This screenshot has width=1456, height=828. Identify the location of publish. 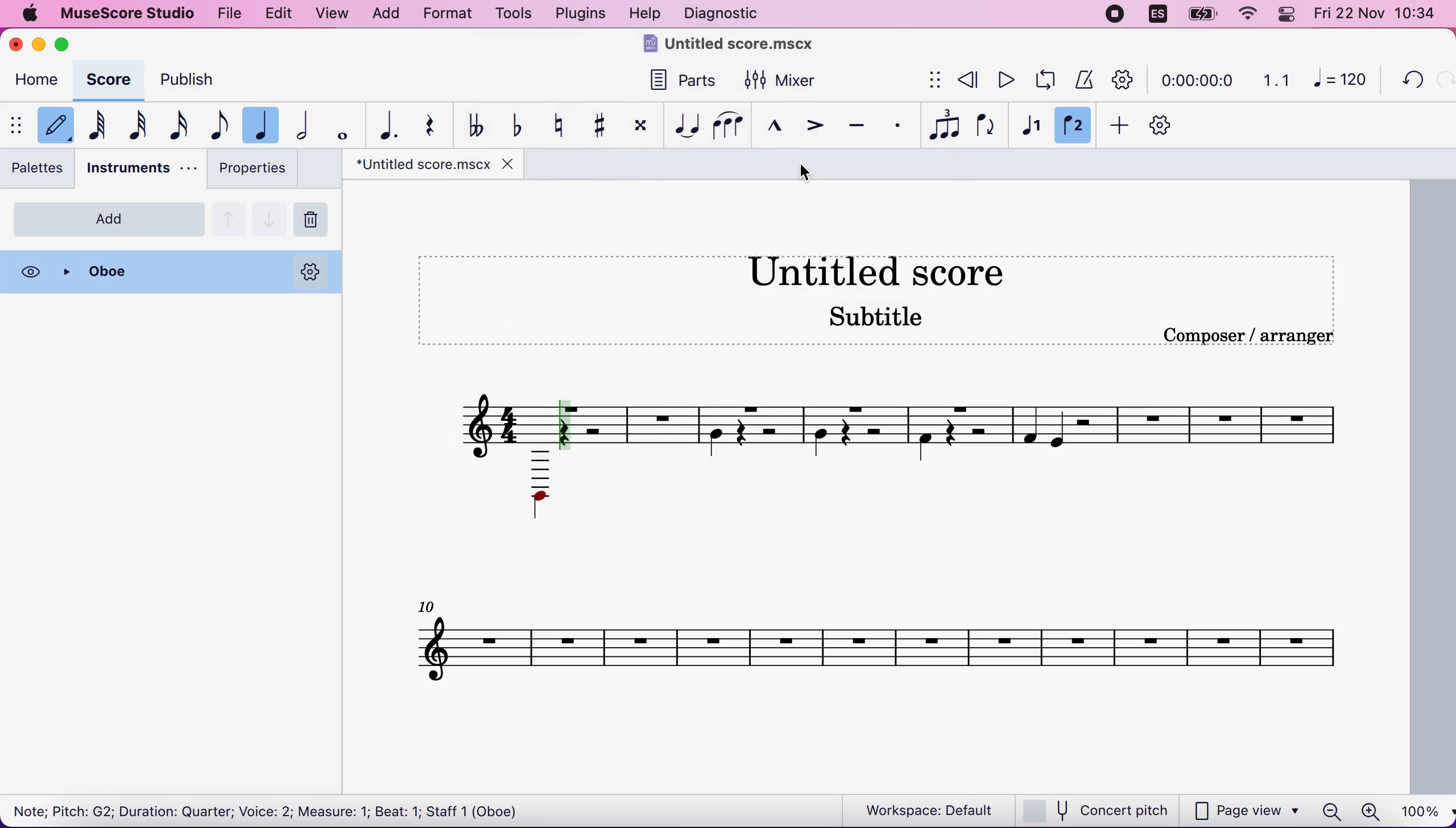
(194, 79).